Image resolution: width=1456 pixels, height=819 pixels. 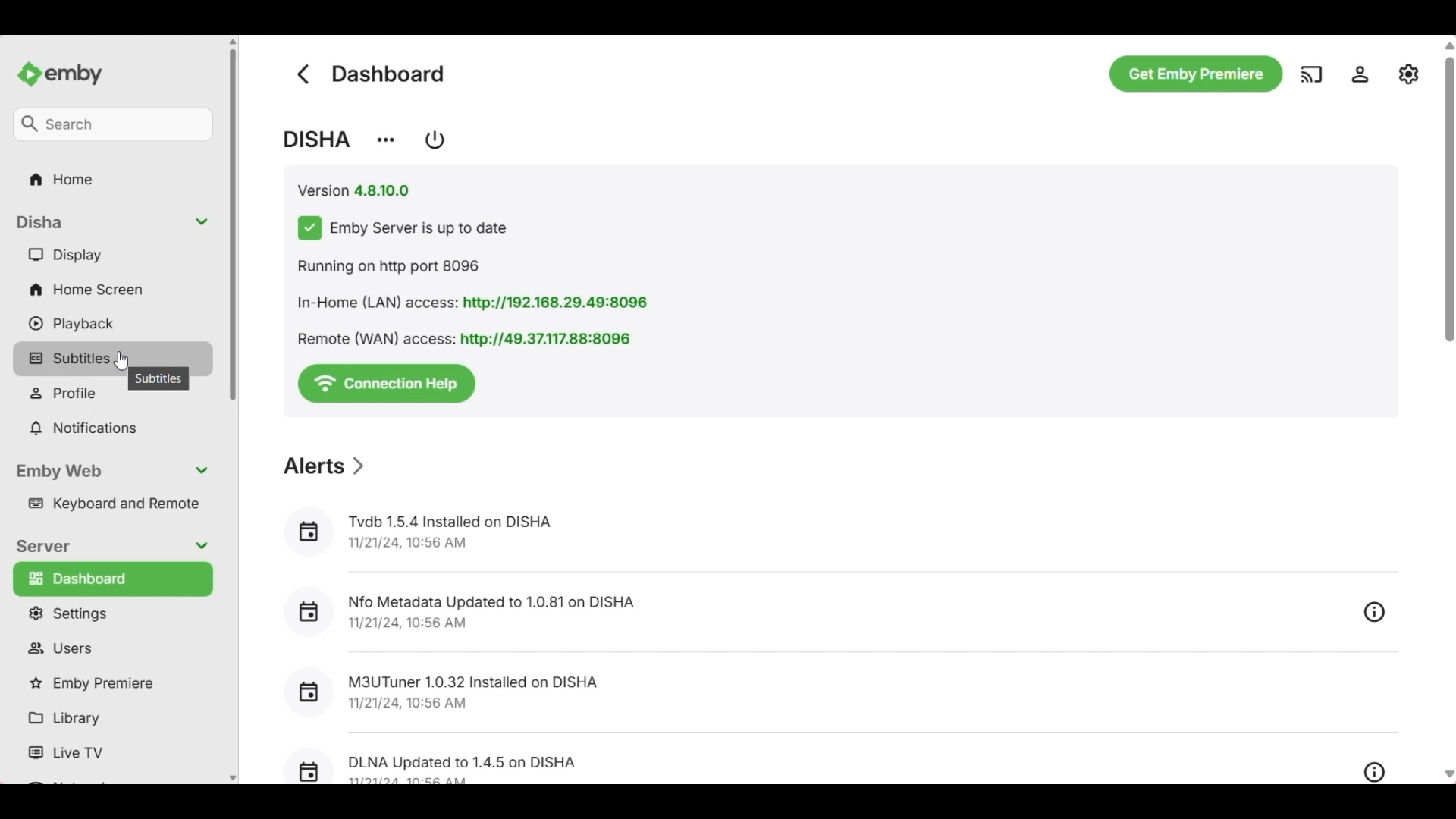 I want to click on Page title, so click(x=390, y=74).